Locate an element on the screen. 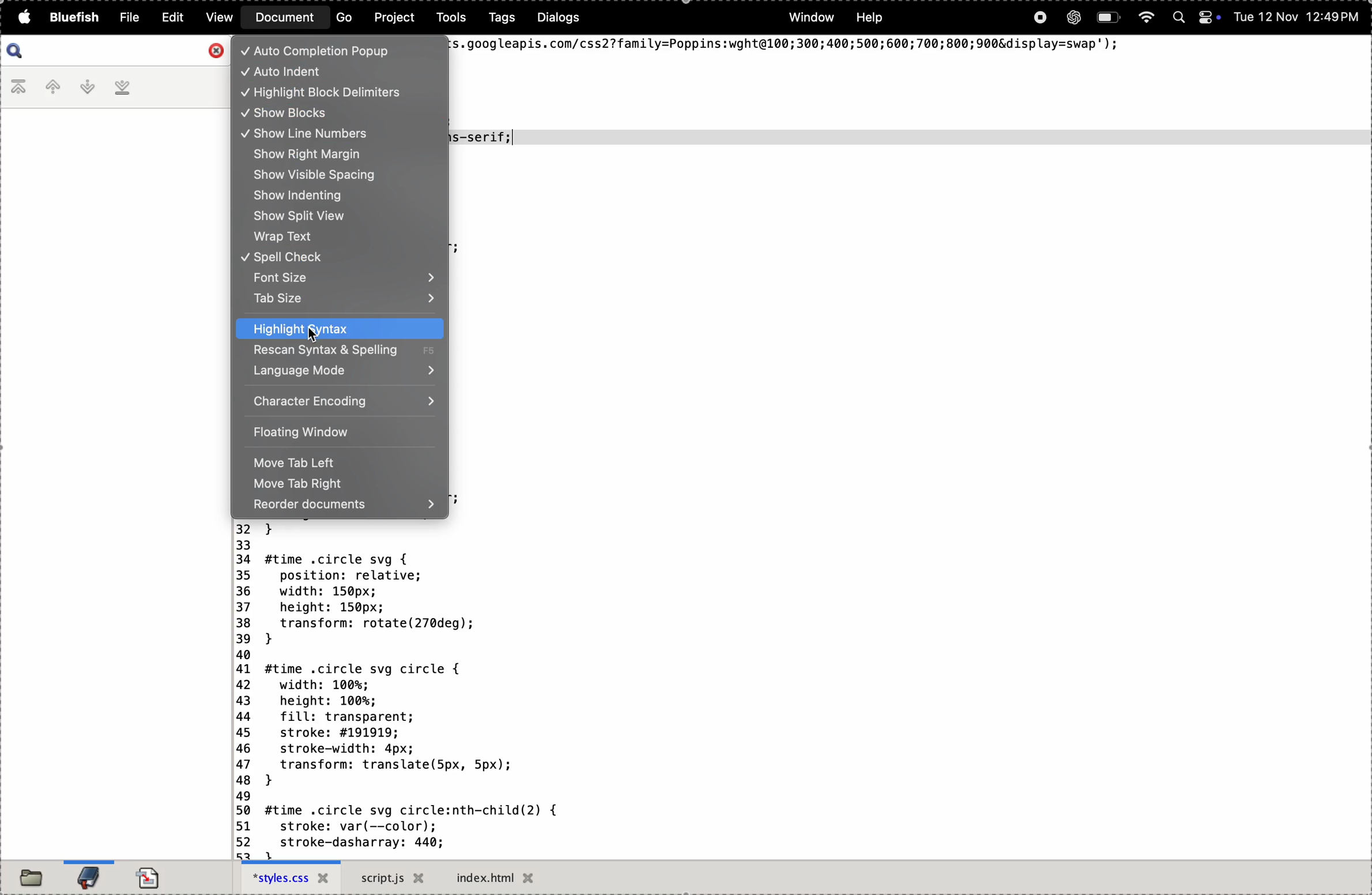  help is located at coordinates (870, 17).